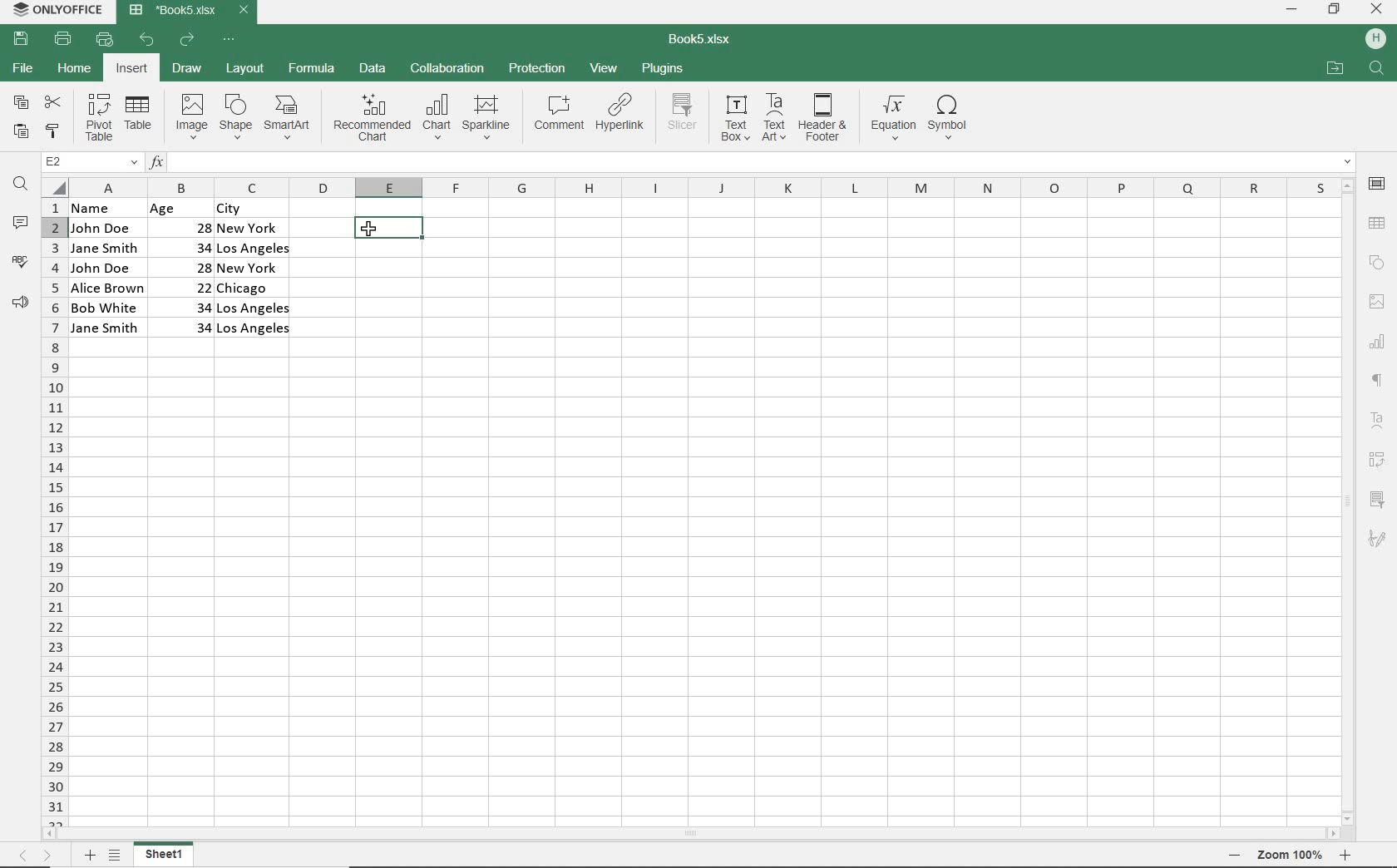  Describe the element at coordinates (375, 68) in the screenshot. I see `DATA` at that location.